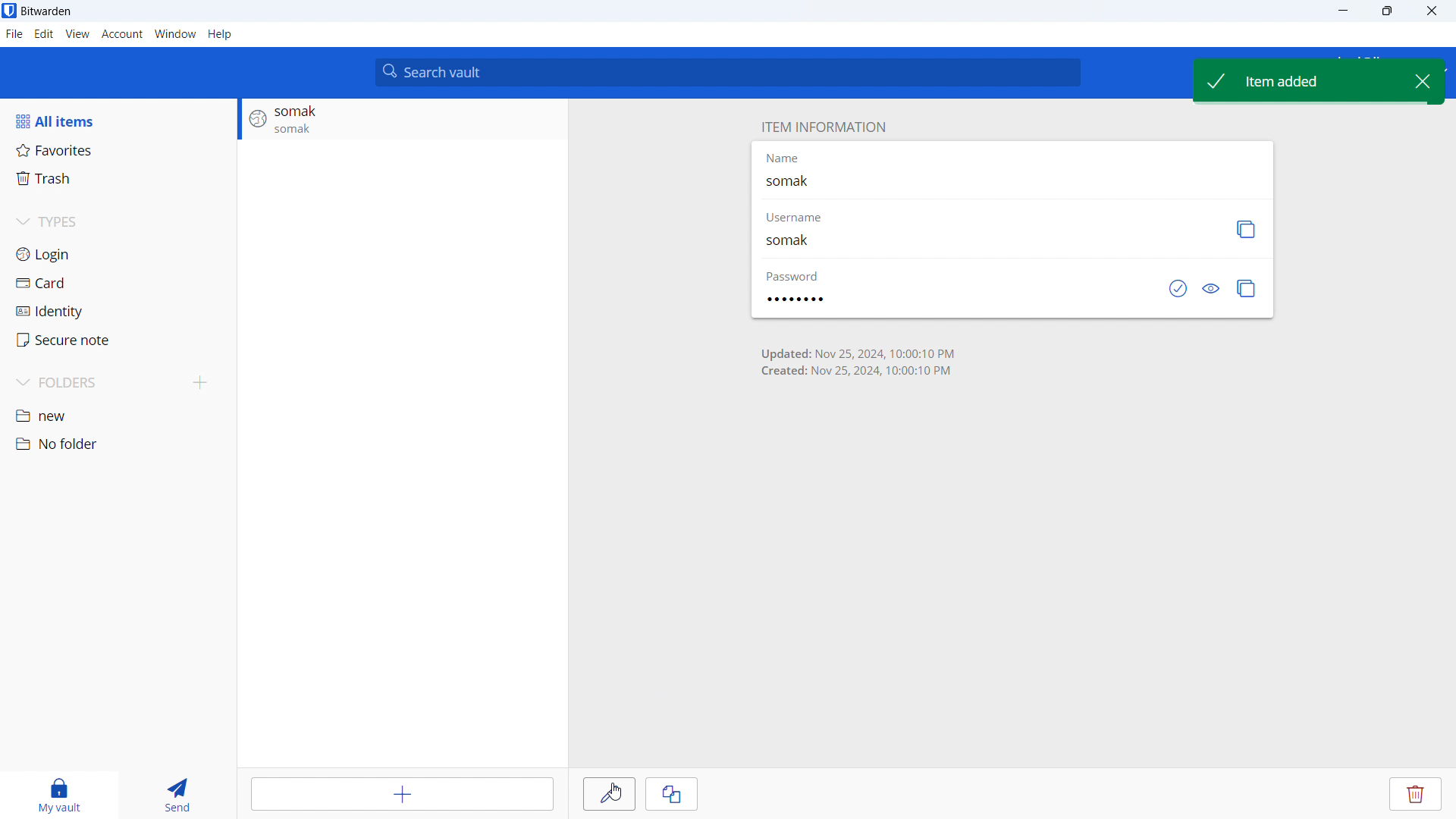 The height and width of the screenshot is (819, 1456). Describe the element at coordinates (1176, 290) in the screenshot. I see `check if password has been exposed` at that location.